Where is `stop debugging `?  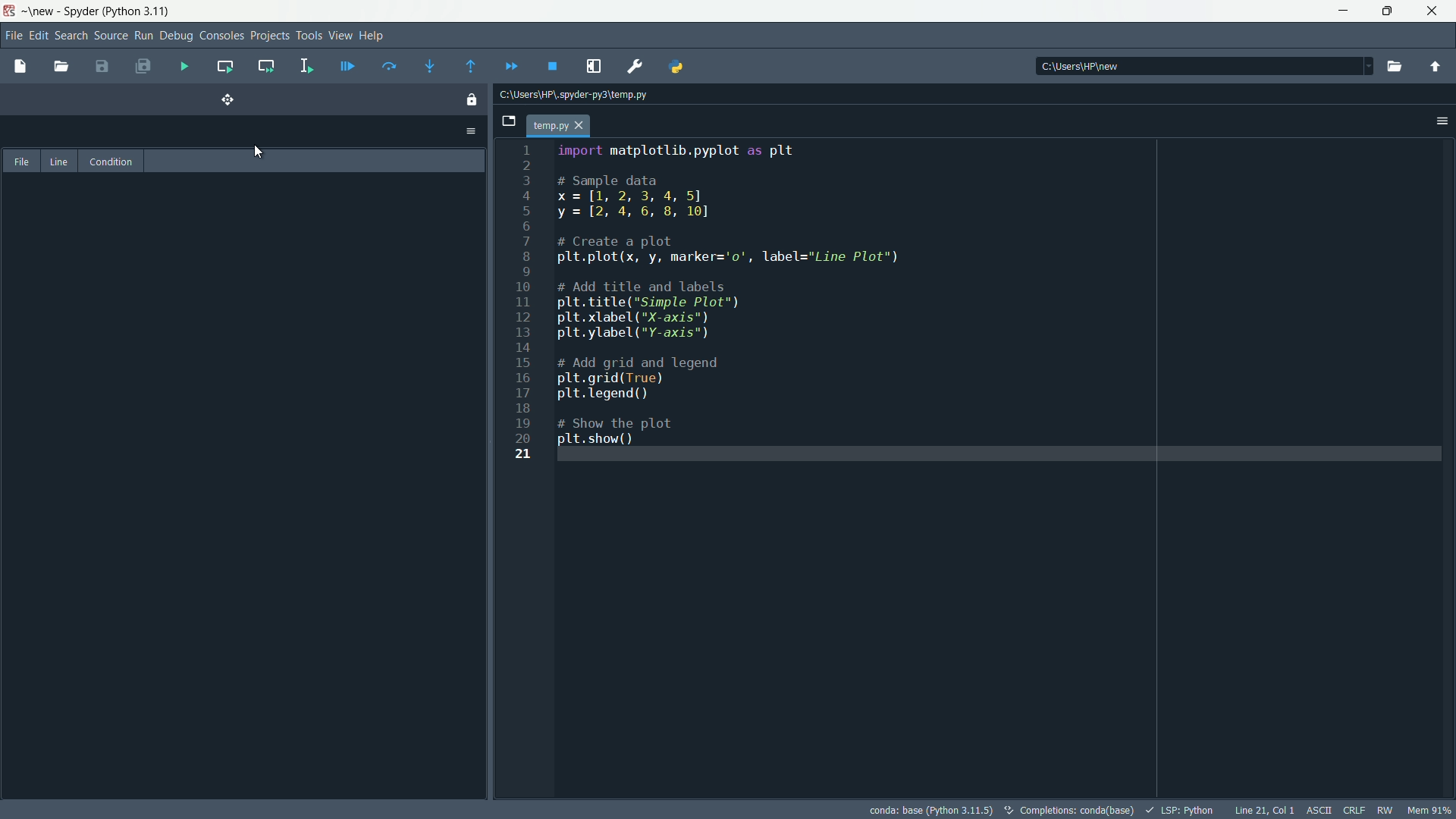 stop debugging  is located at coordinates (554, 67).